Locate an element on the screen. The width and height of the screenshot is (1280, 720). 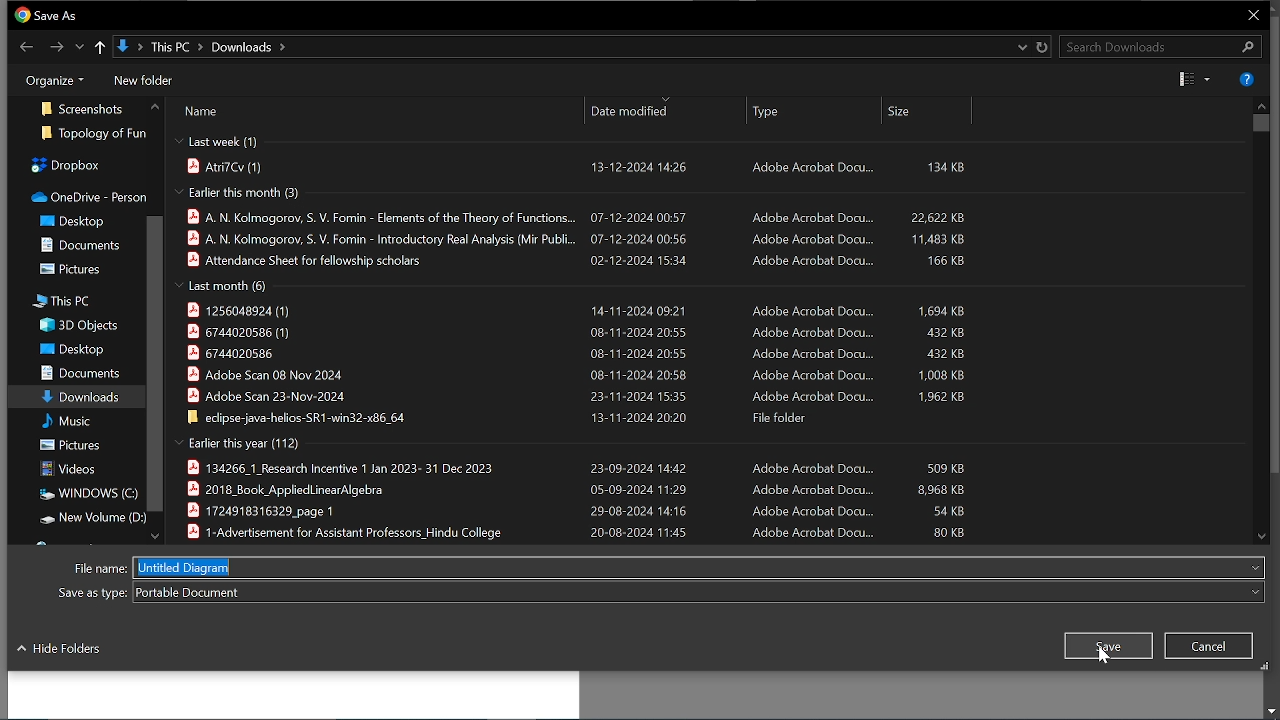
size is located at coordinates (926, 110).